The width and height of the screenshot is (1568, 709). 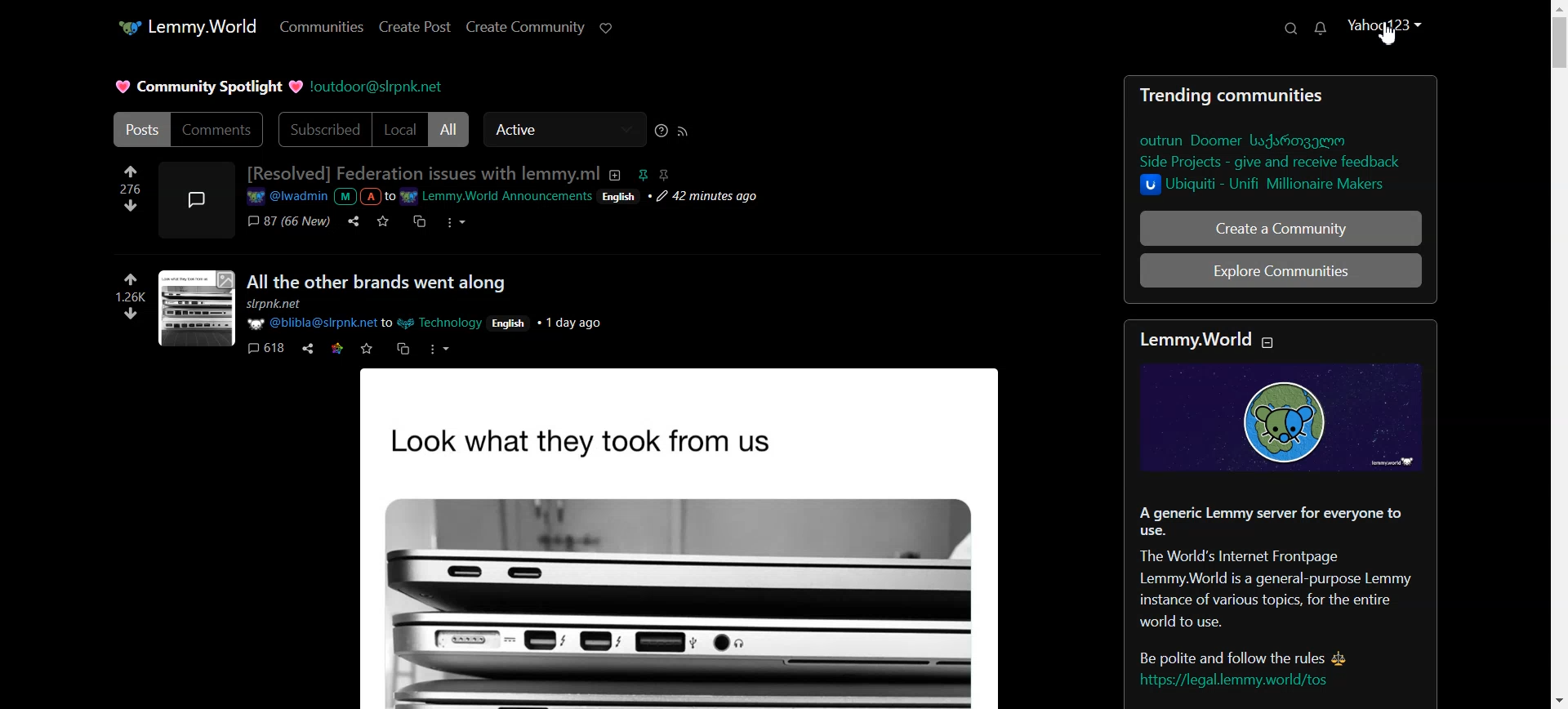 What do you see at coordinates (353, 221) in the screenshot?
I see `Share` at bounding box center [353, 221].